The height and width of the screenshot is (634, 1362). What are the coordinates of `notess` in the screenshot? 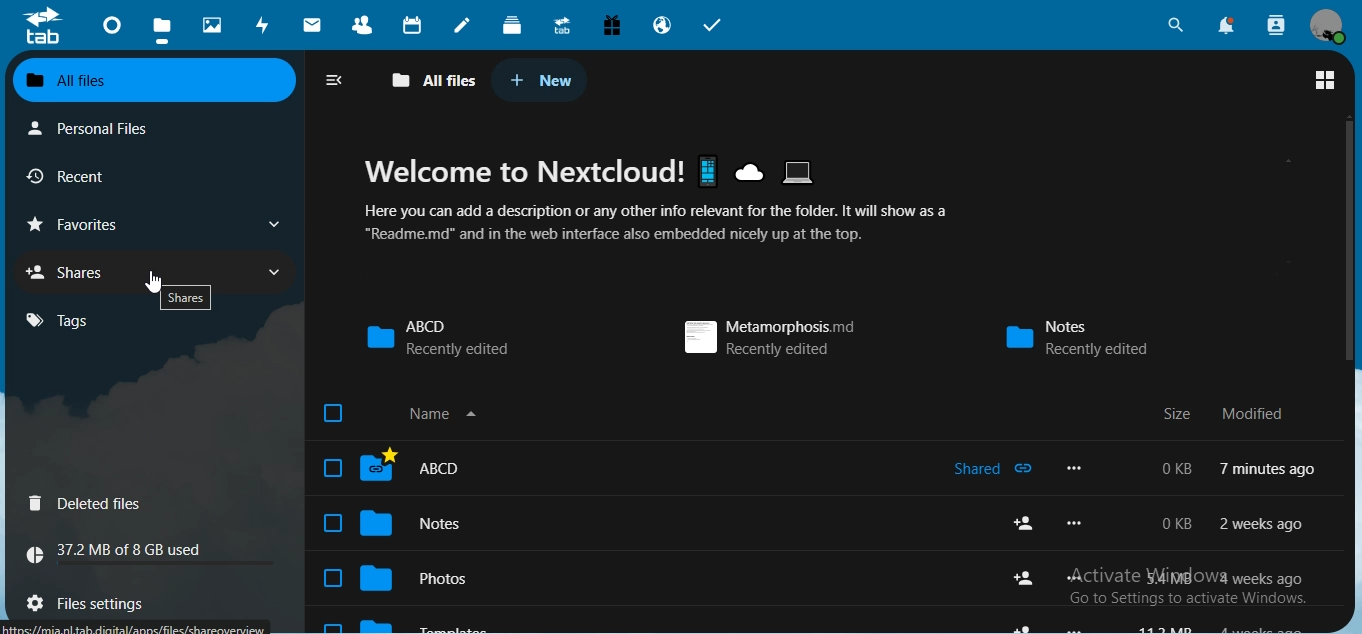 It's located at (1087, 337).